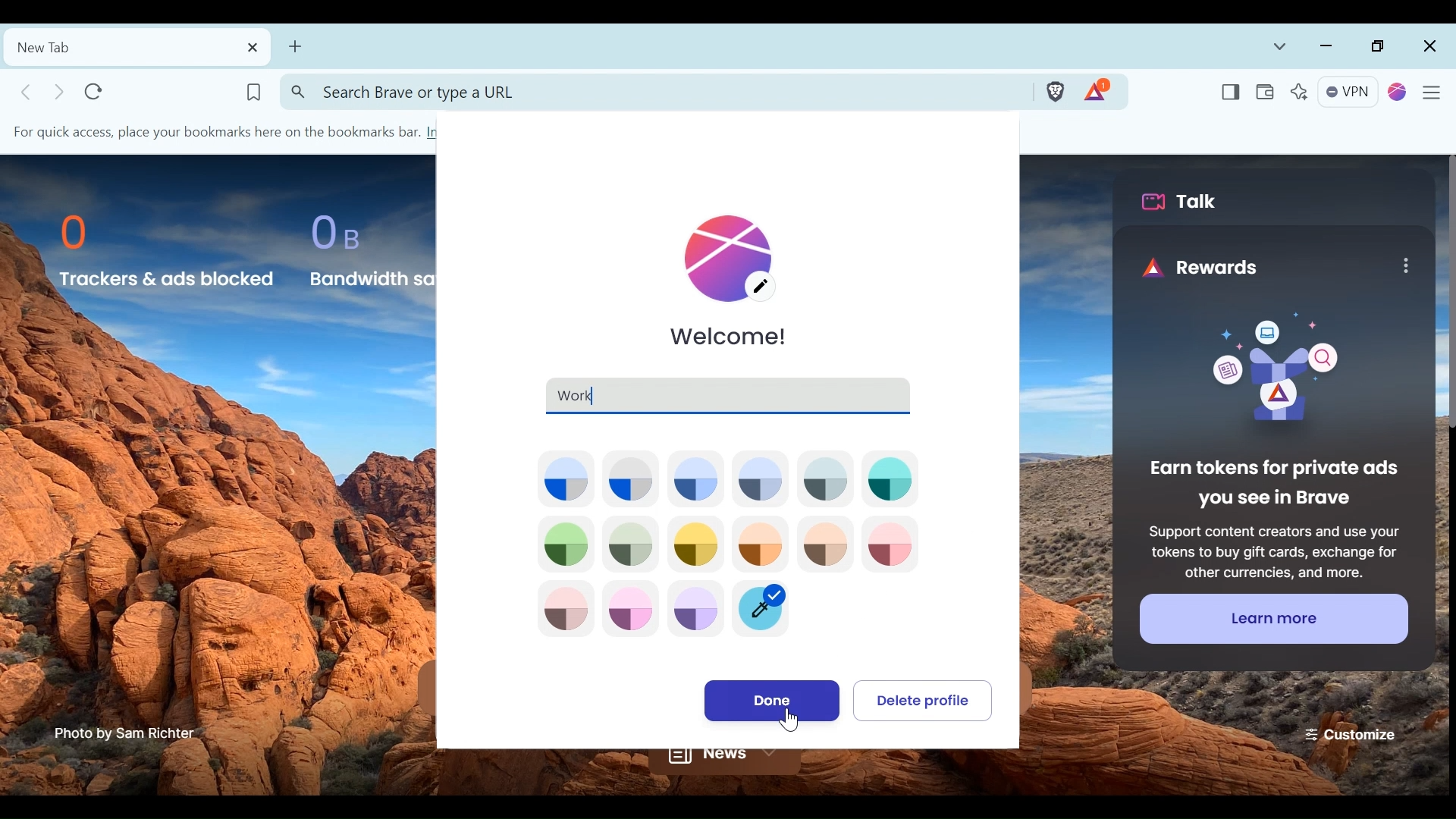 This screenshot has height=819, width=1456. Describe the element at coordinates (763, 544) in the screenshot. I see `Theme` at that location.